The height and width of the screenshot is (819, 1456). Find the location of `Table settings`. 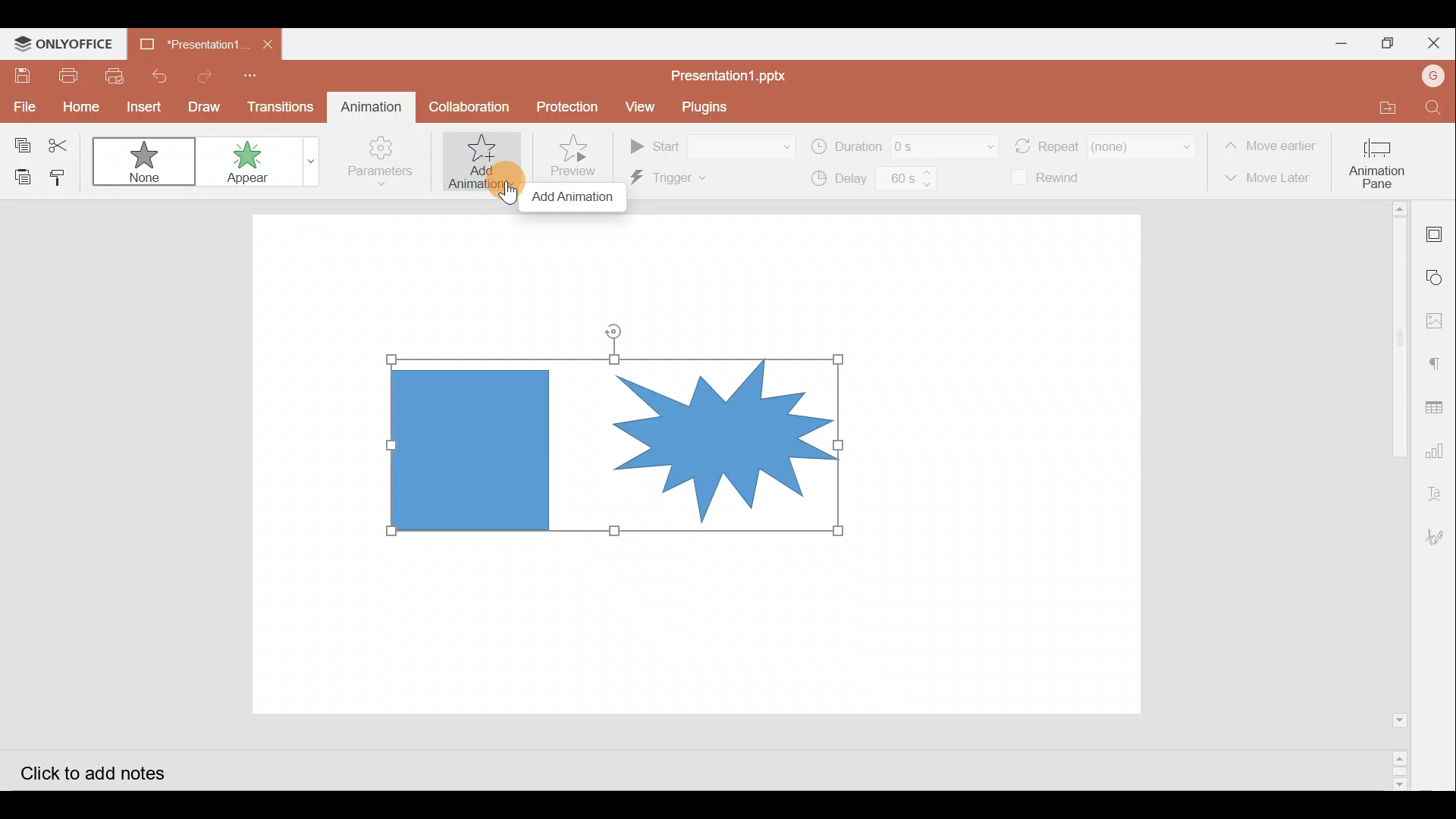

Table settings is located at coordinates (1438, 407).